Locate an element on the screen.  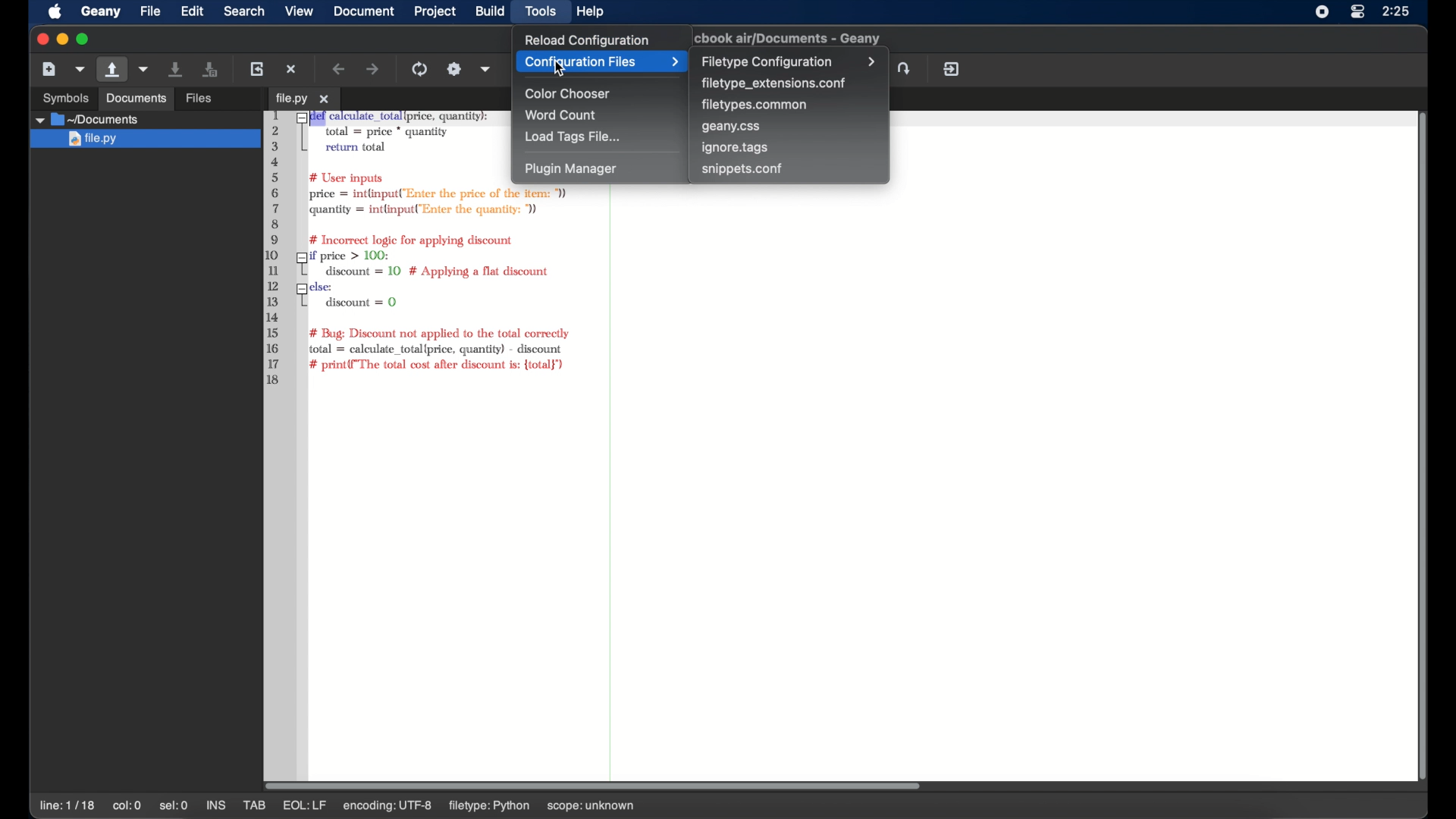
minimize is located at coordinates (61, 39).